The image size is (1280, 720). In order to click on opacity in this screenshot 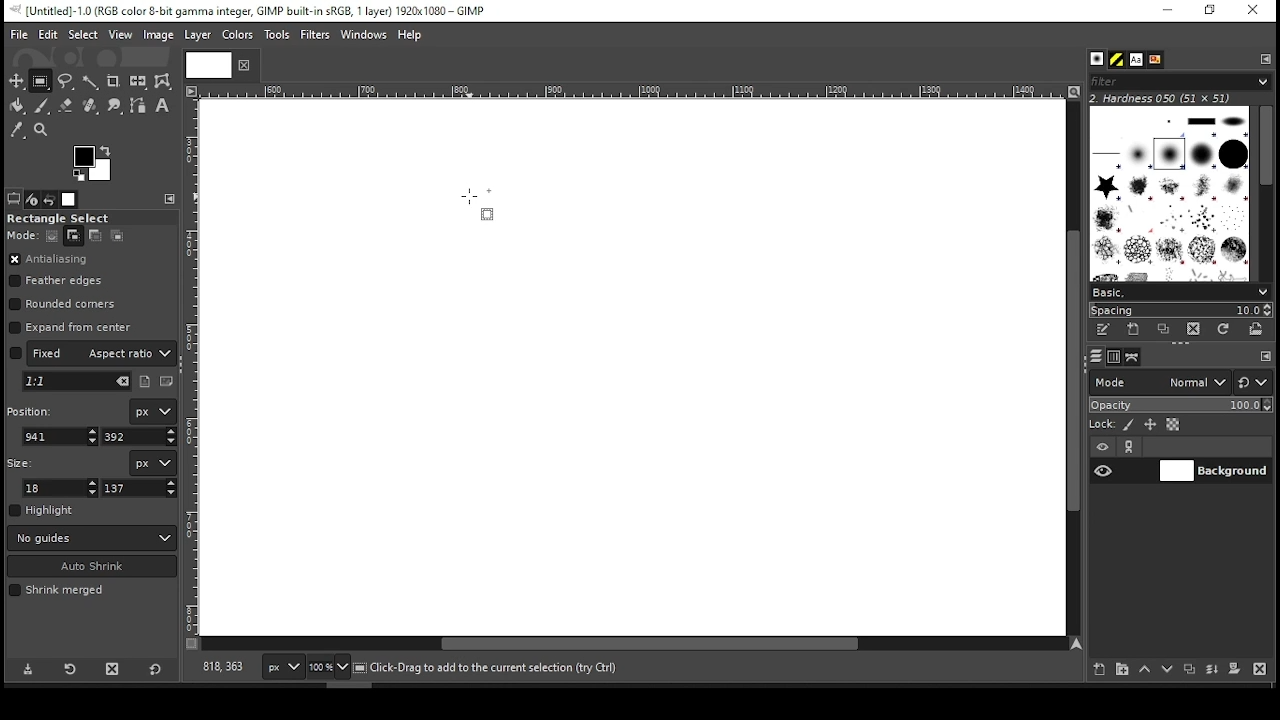, I will do `click(1179, 407)`.